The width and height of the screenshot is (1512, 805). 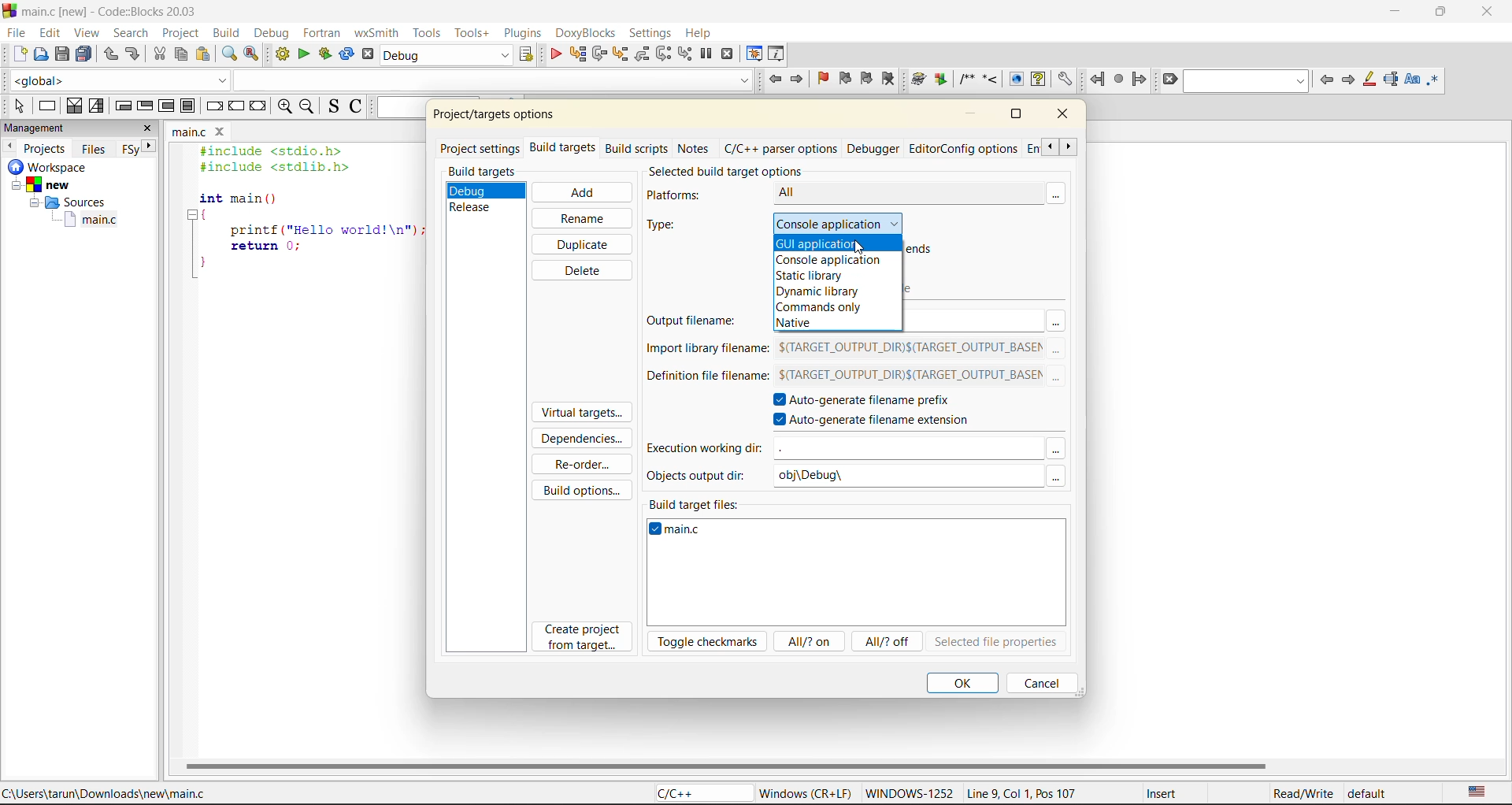 I want to click on debugging windows, so click(x=754, y=54).